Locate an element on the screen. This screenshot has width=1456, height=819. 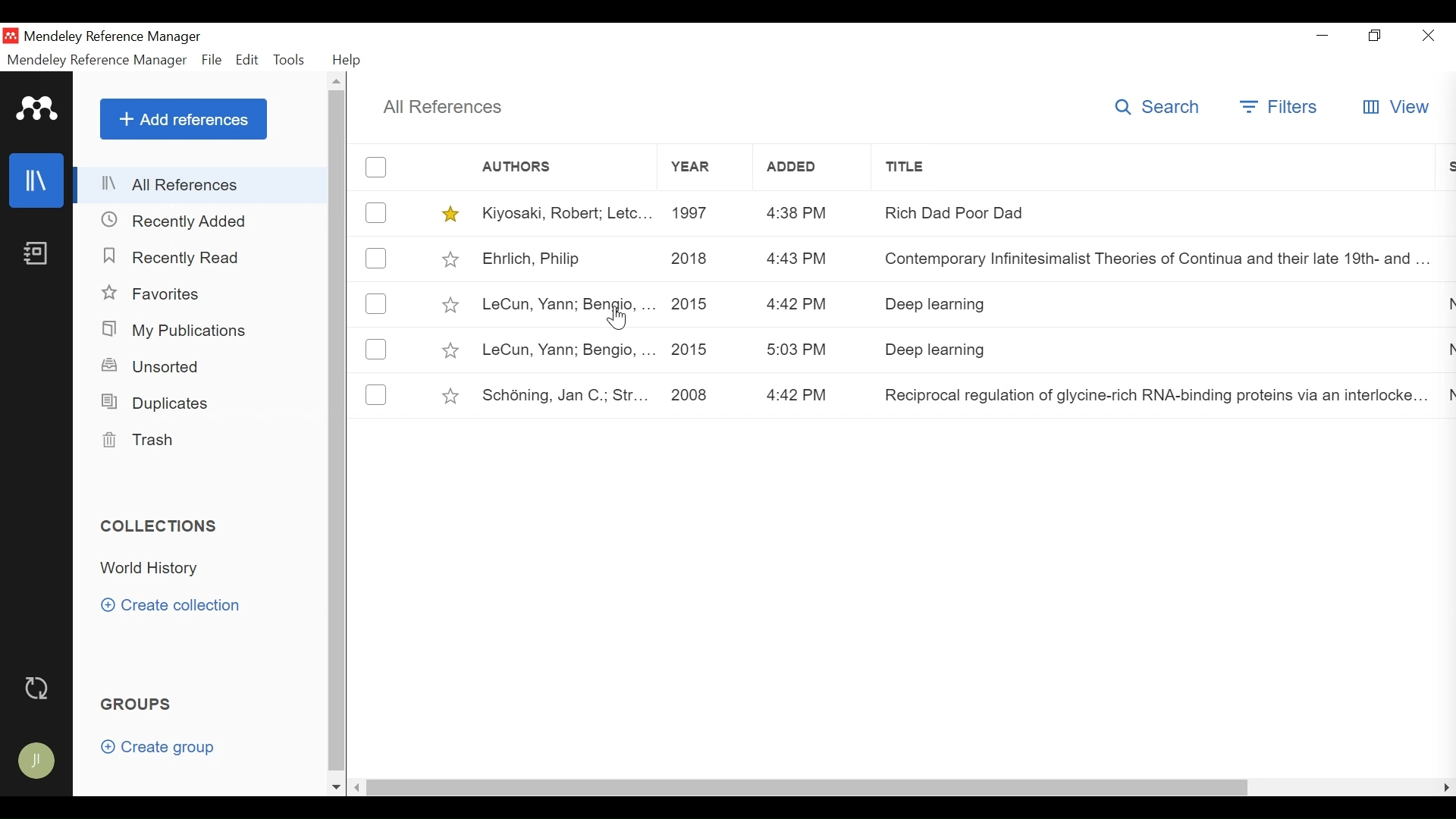
Notebook is located at coordinates (35, 255).